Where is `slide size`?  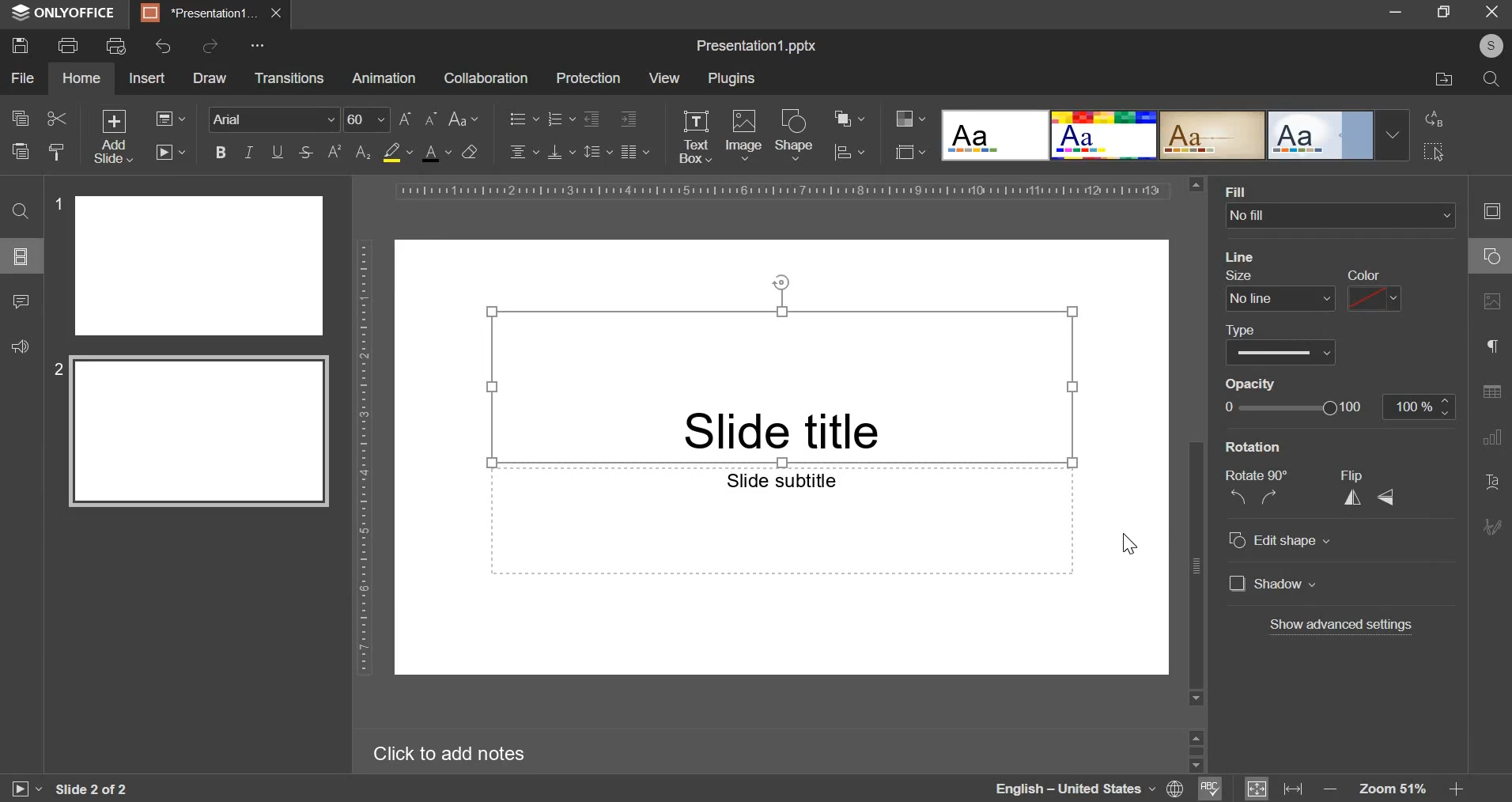
slide size is located at coordinates (910, 150).